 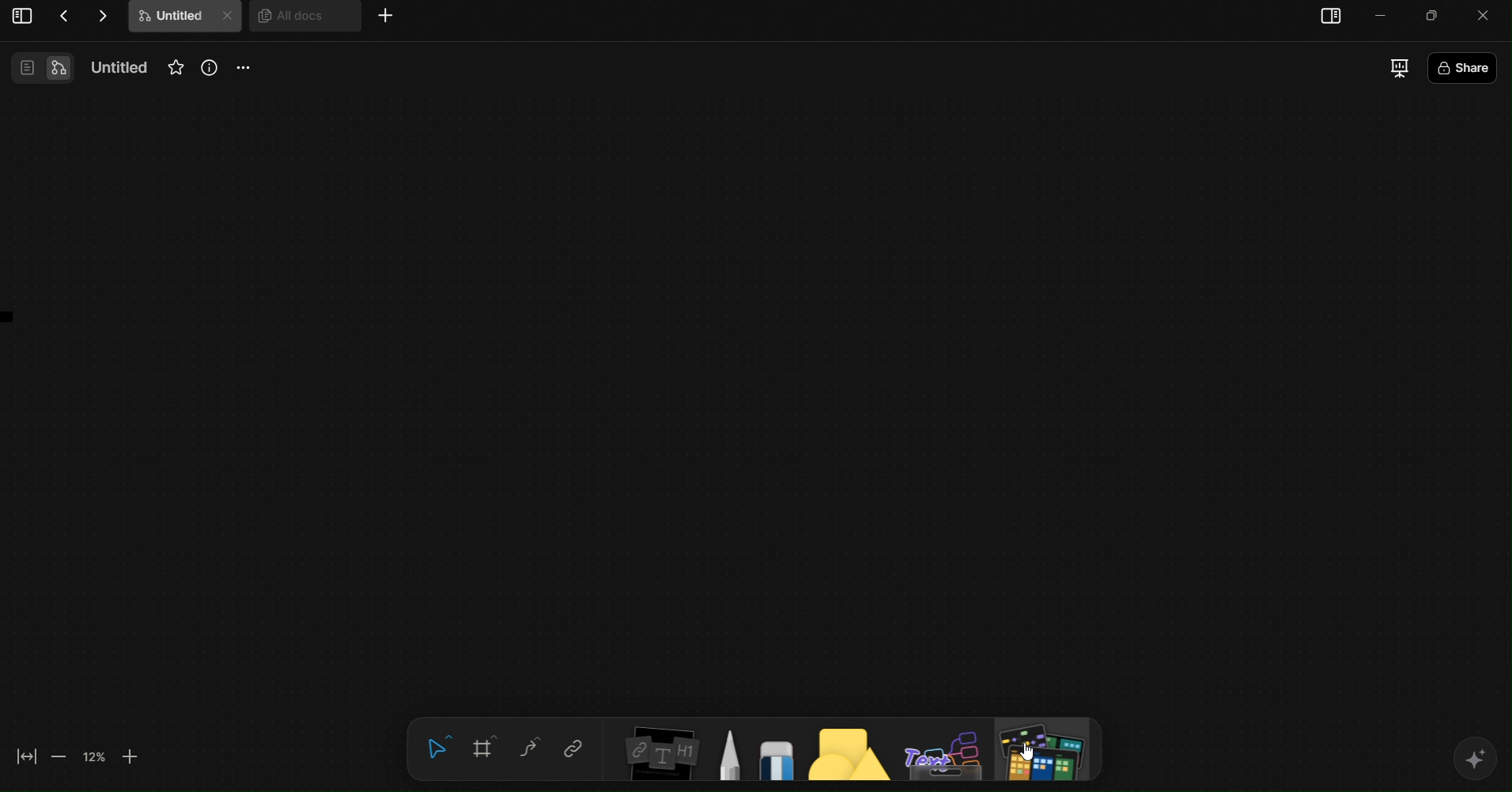 What do you see at coordinates (729, 753) in the screenshot?
I see `Pen Tool` at bounding box center [729, 753].